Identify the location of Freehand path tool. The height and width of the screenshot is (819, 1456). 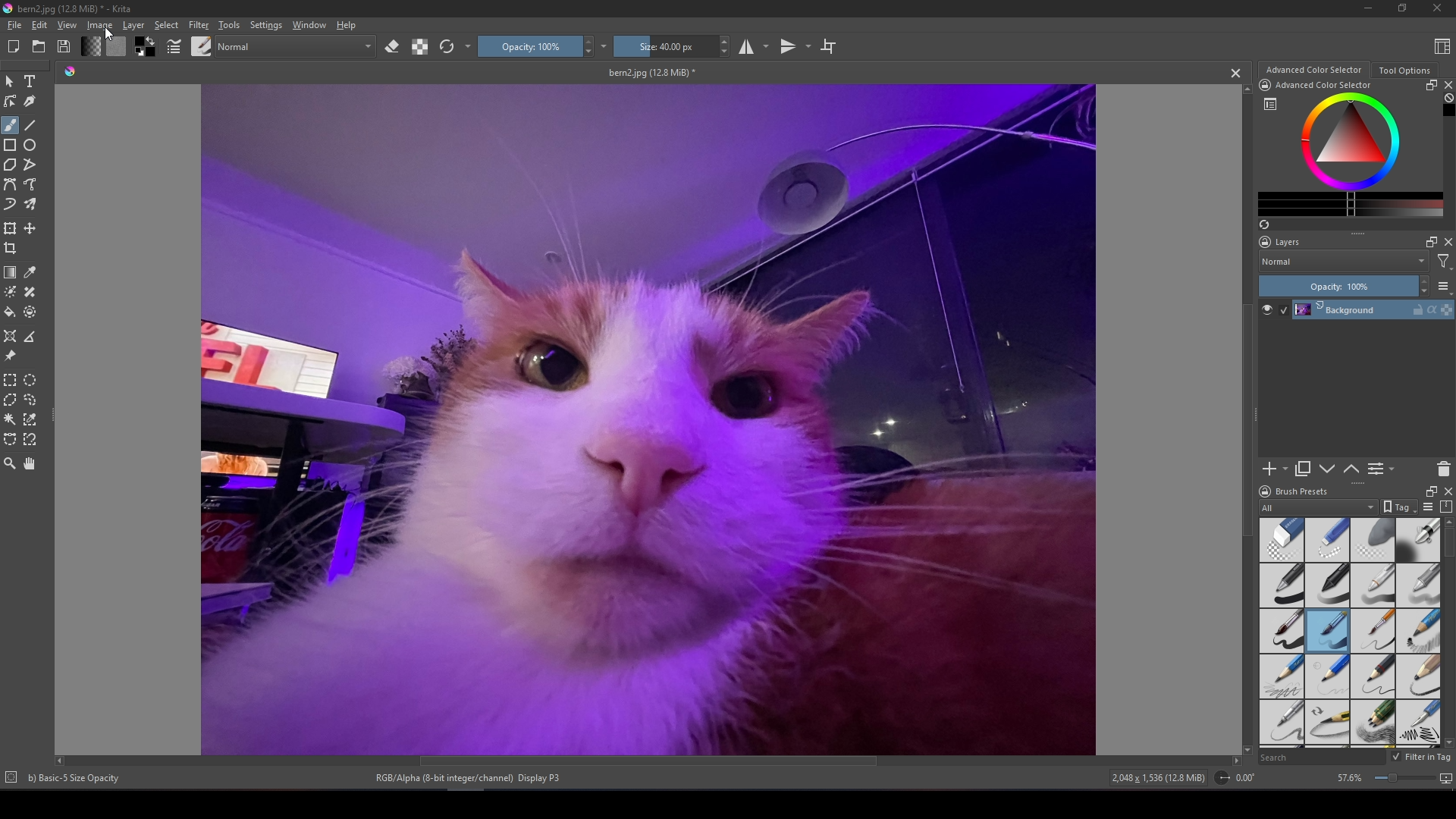
(30, 184).